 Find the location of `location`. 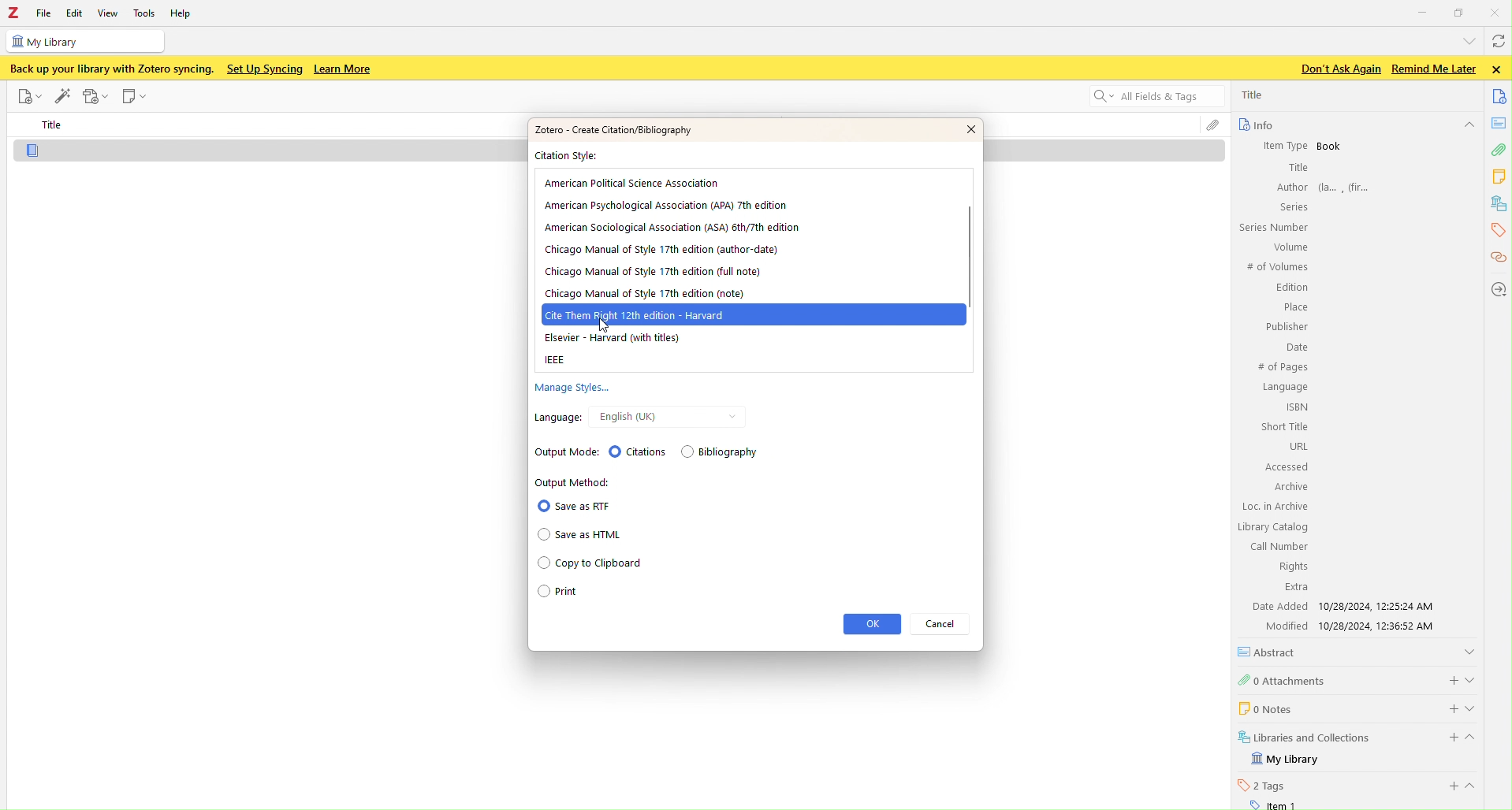

location is located at coordinates (1497, 288).